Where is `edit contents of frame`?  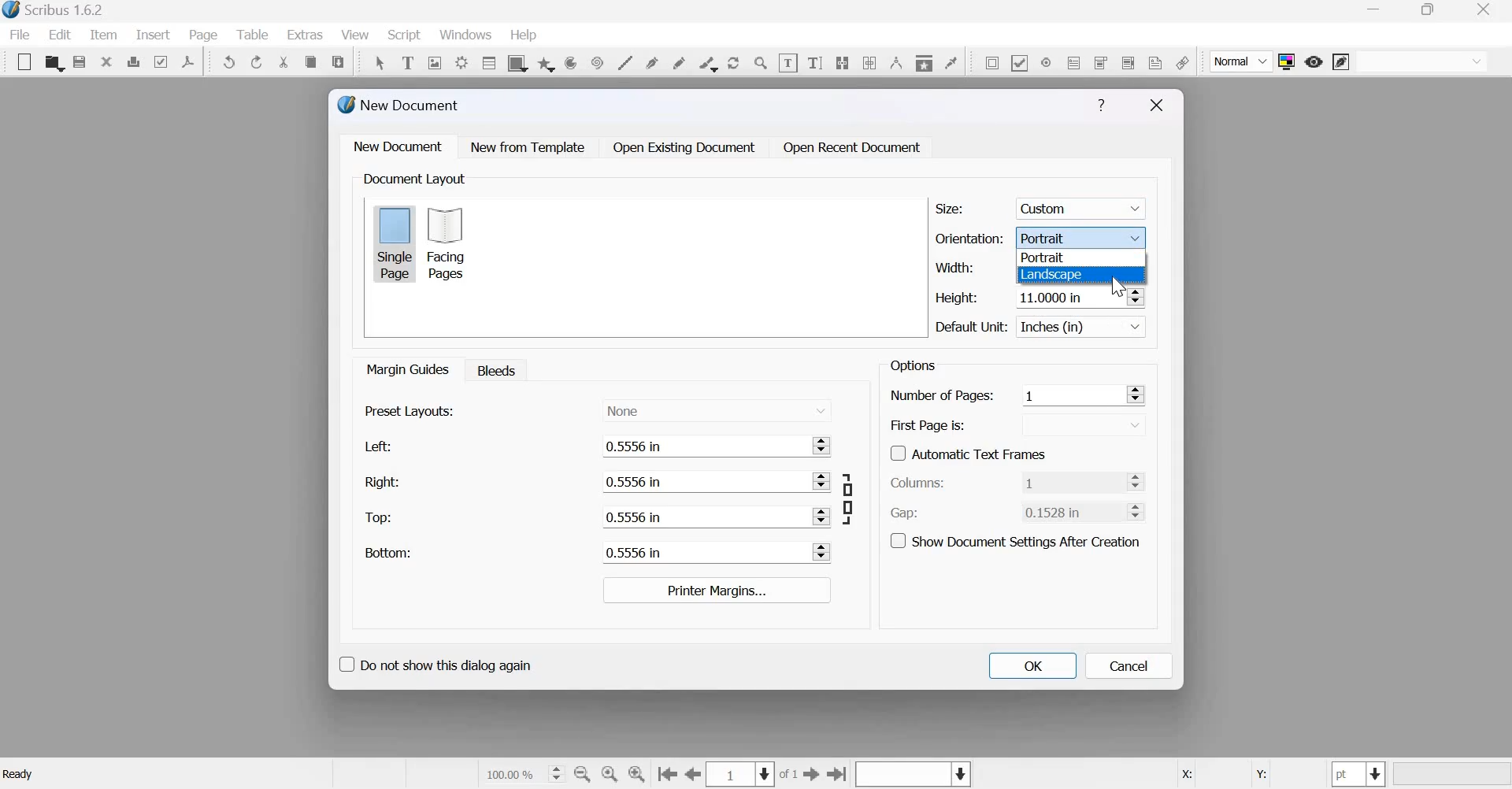
edit contents of frame is located at coordinates (787, 62).